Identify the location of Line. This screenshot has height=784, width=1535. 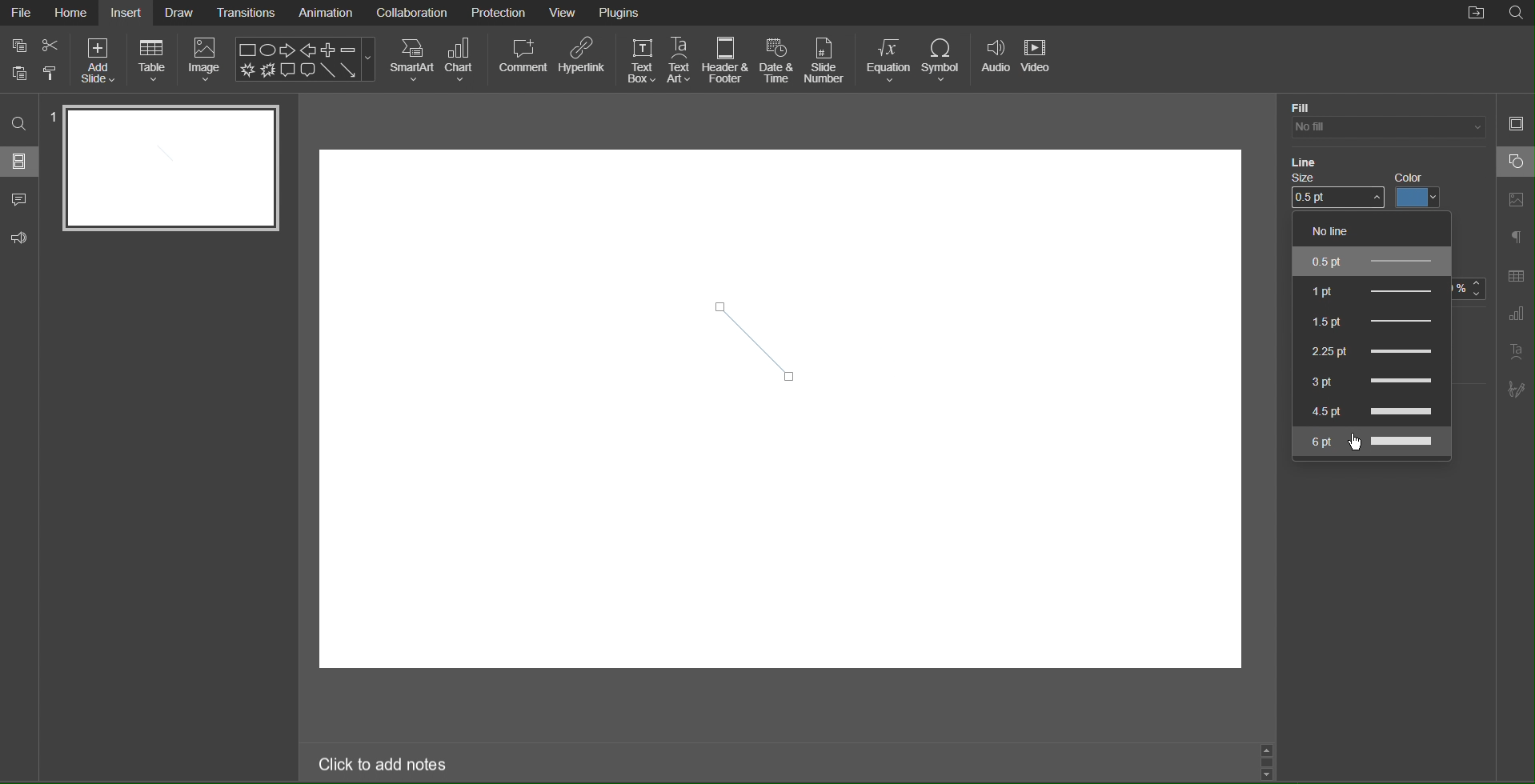
(759, 334).